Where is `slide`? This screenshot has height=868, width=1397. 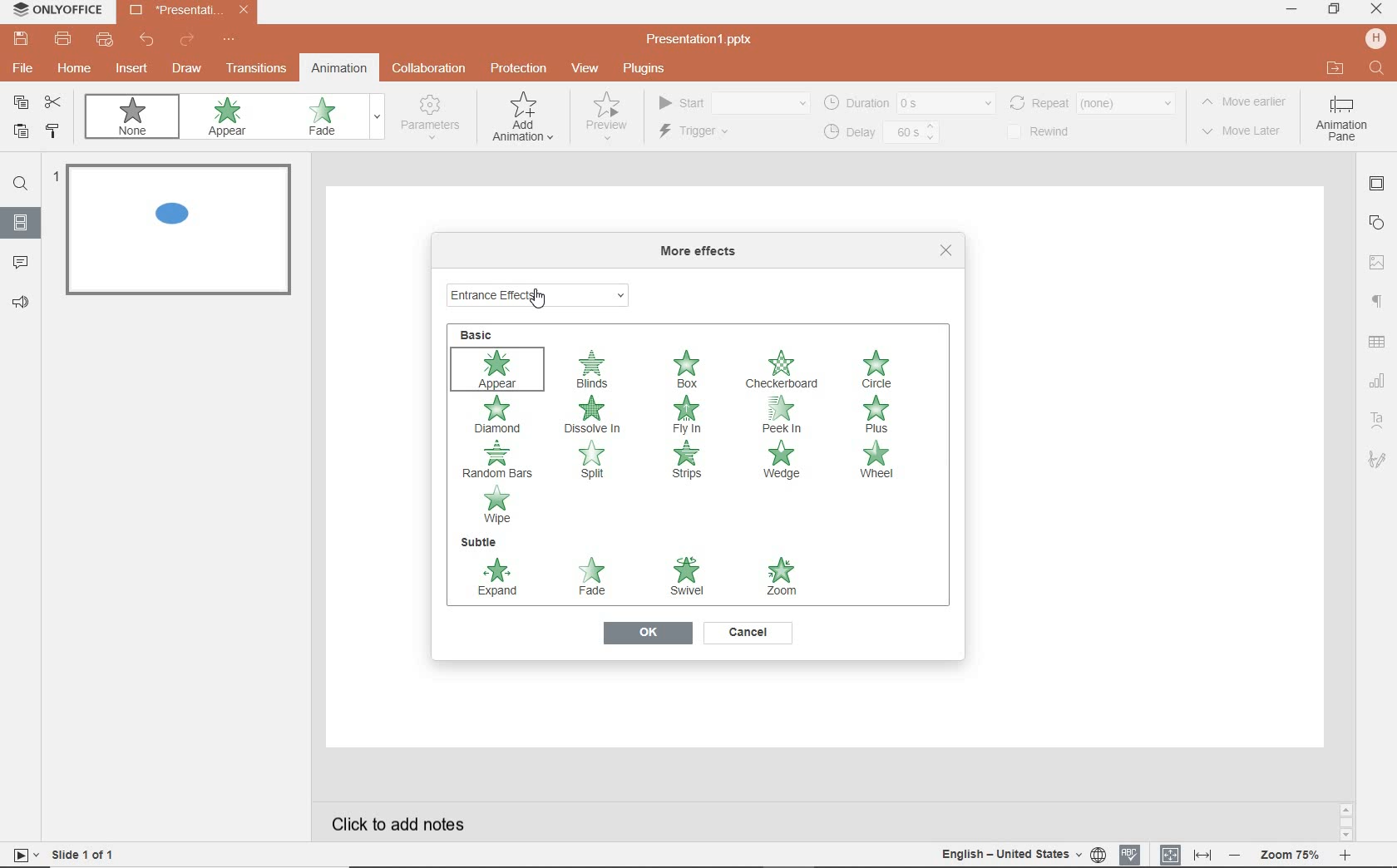
slide is located at coordinates (21, 224).